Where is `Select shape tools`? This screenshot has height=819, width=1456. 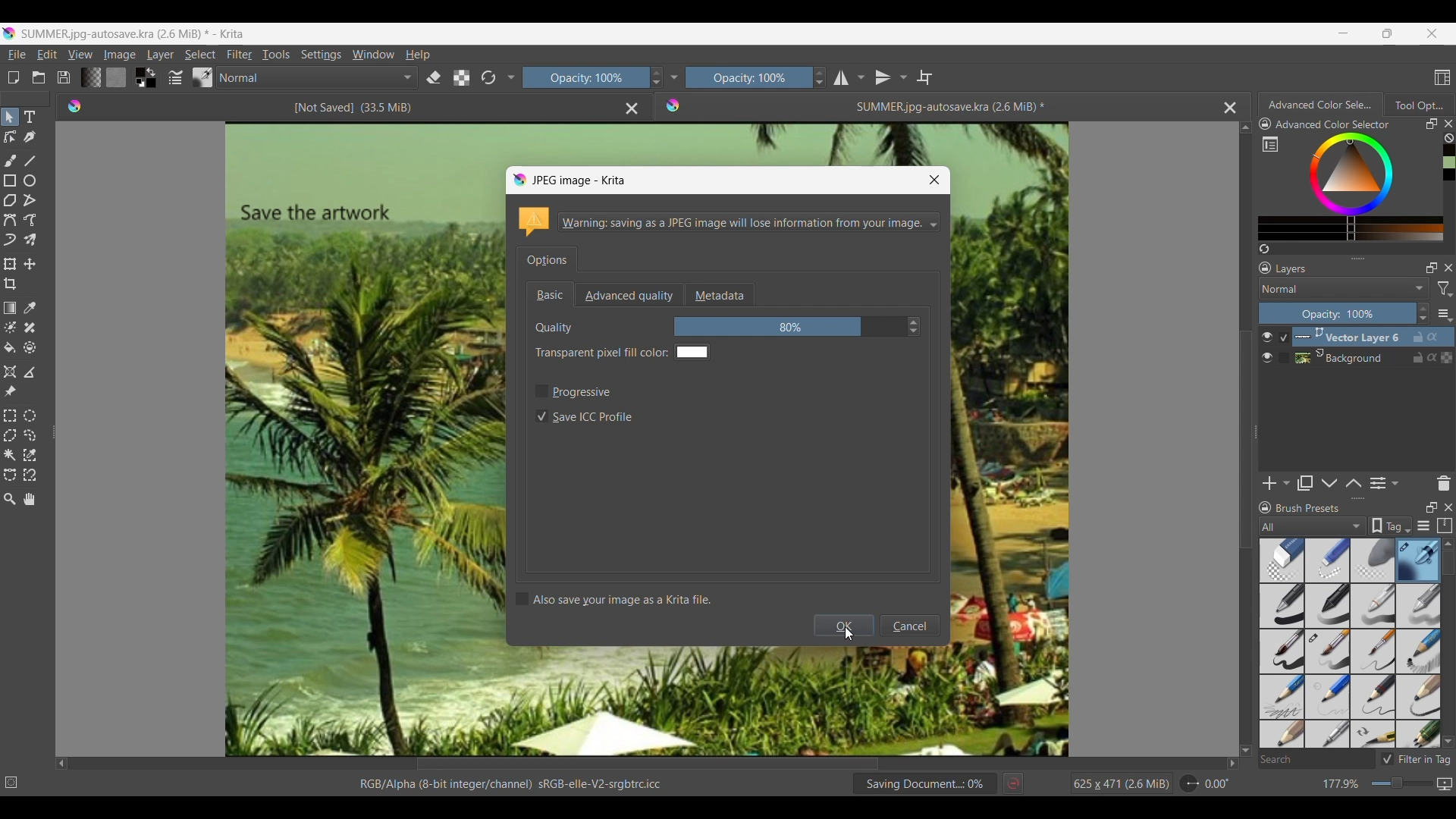 Select shape tools is located at coordinates (11, 117).